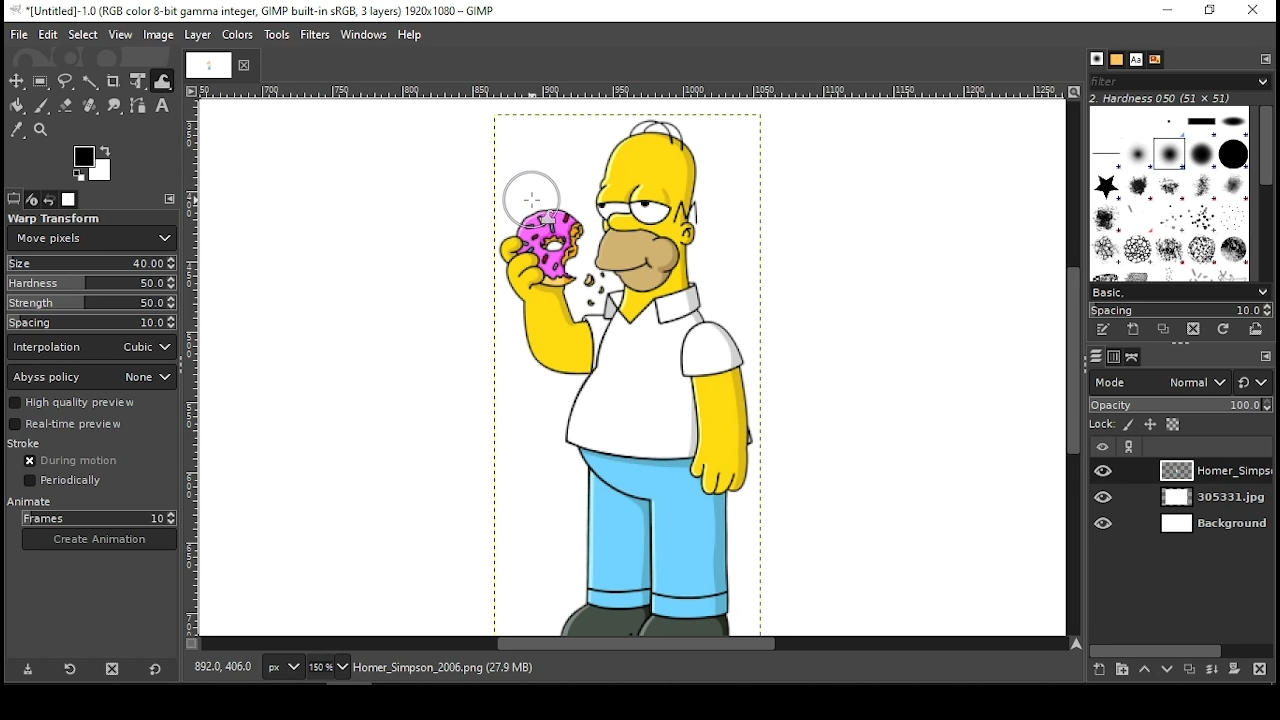  Describe the element at coordinates (36, 444) in the screenshot. I see `stroke` at that location.